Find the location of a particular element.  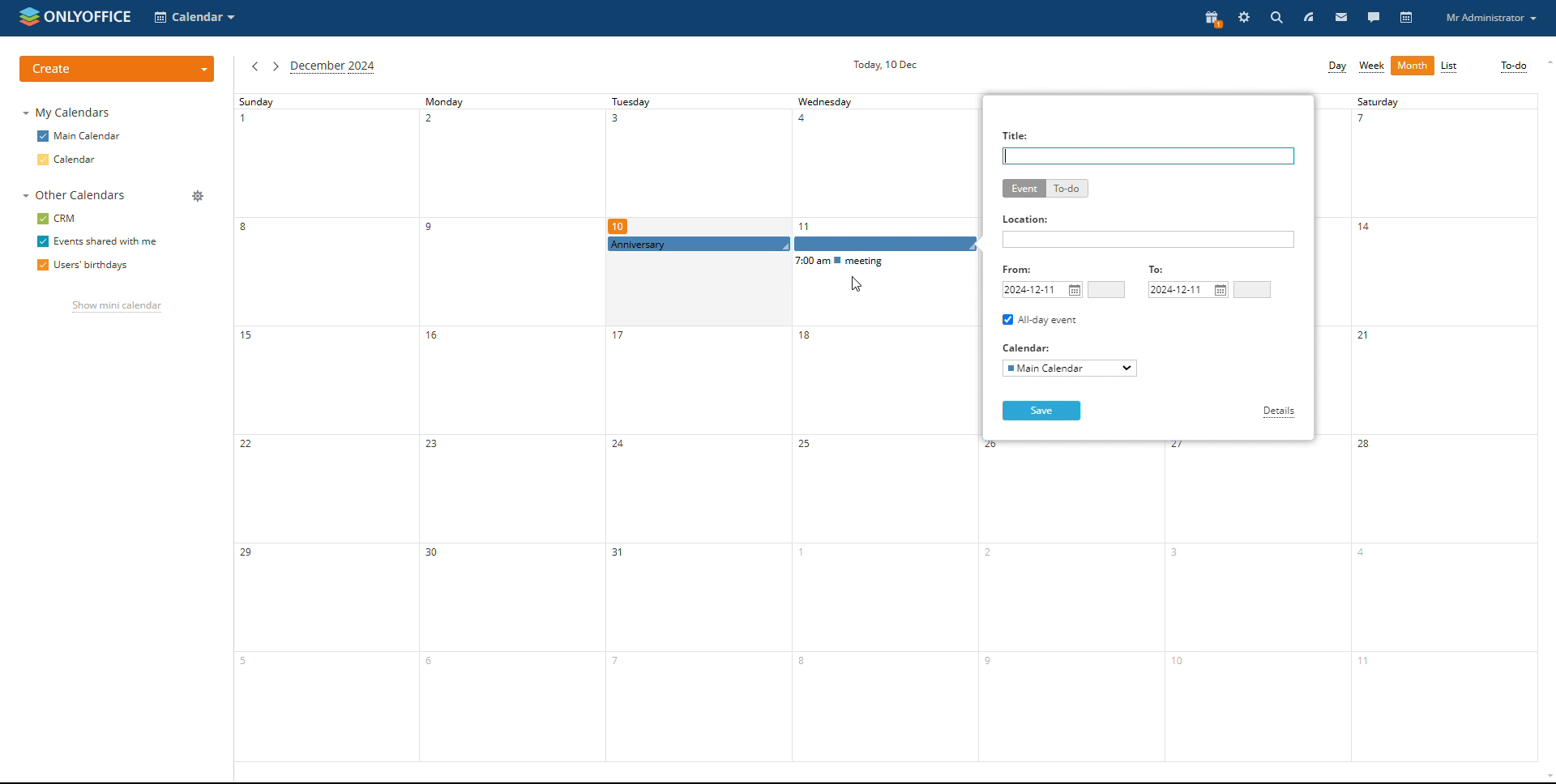

all-day event is located at coordinates (1041, 320).